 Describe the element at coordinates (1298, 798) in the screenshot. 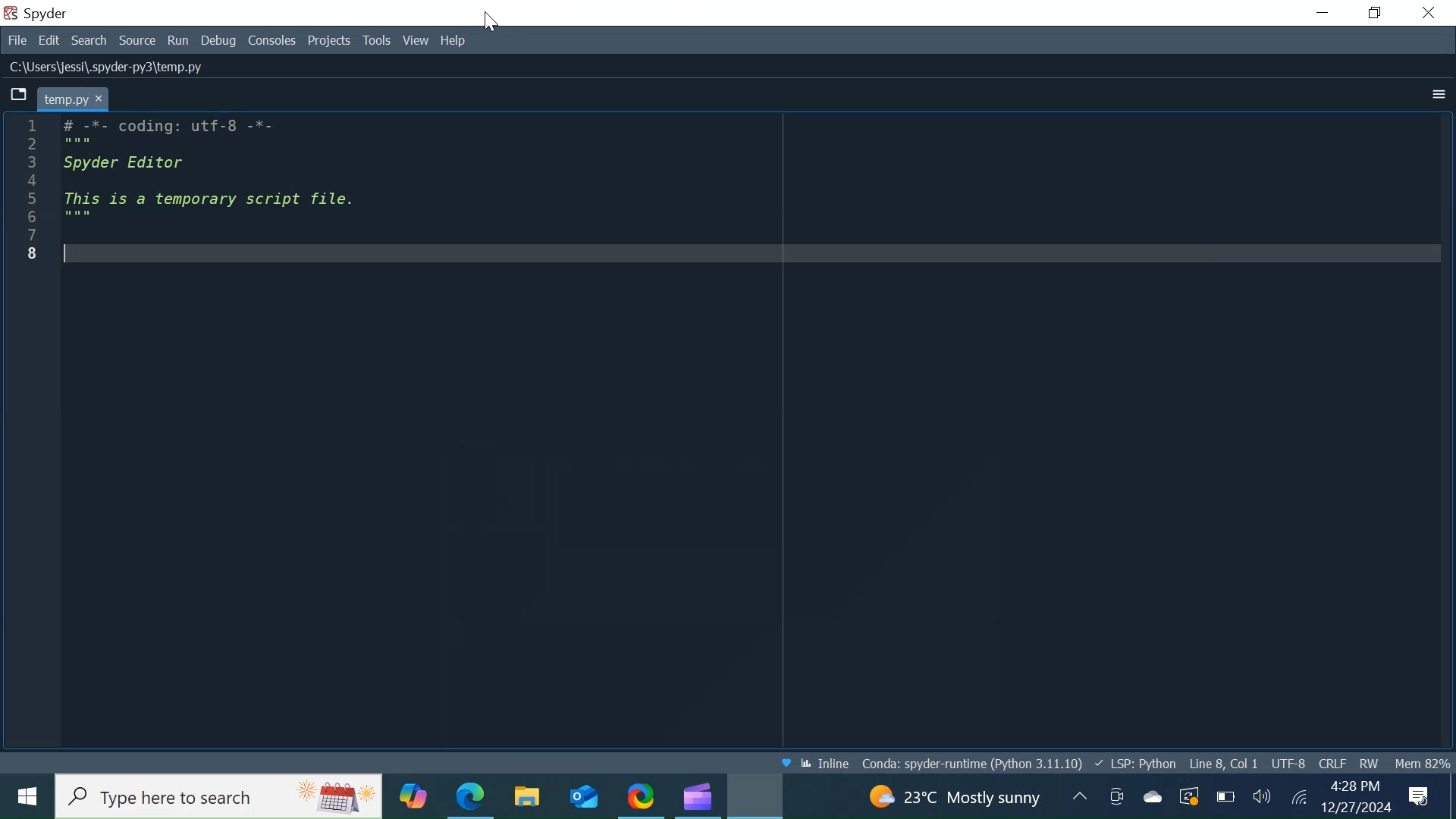

I see `Internet Connectivity` at that location.